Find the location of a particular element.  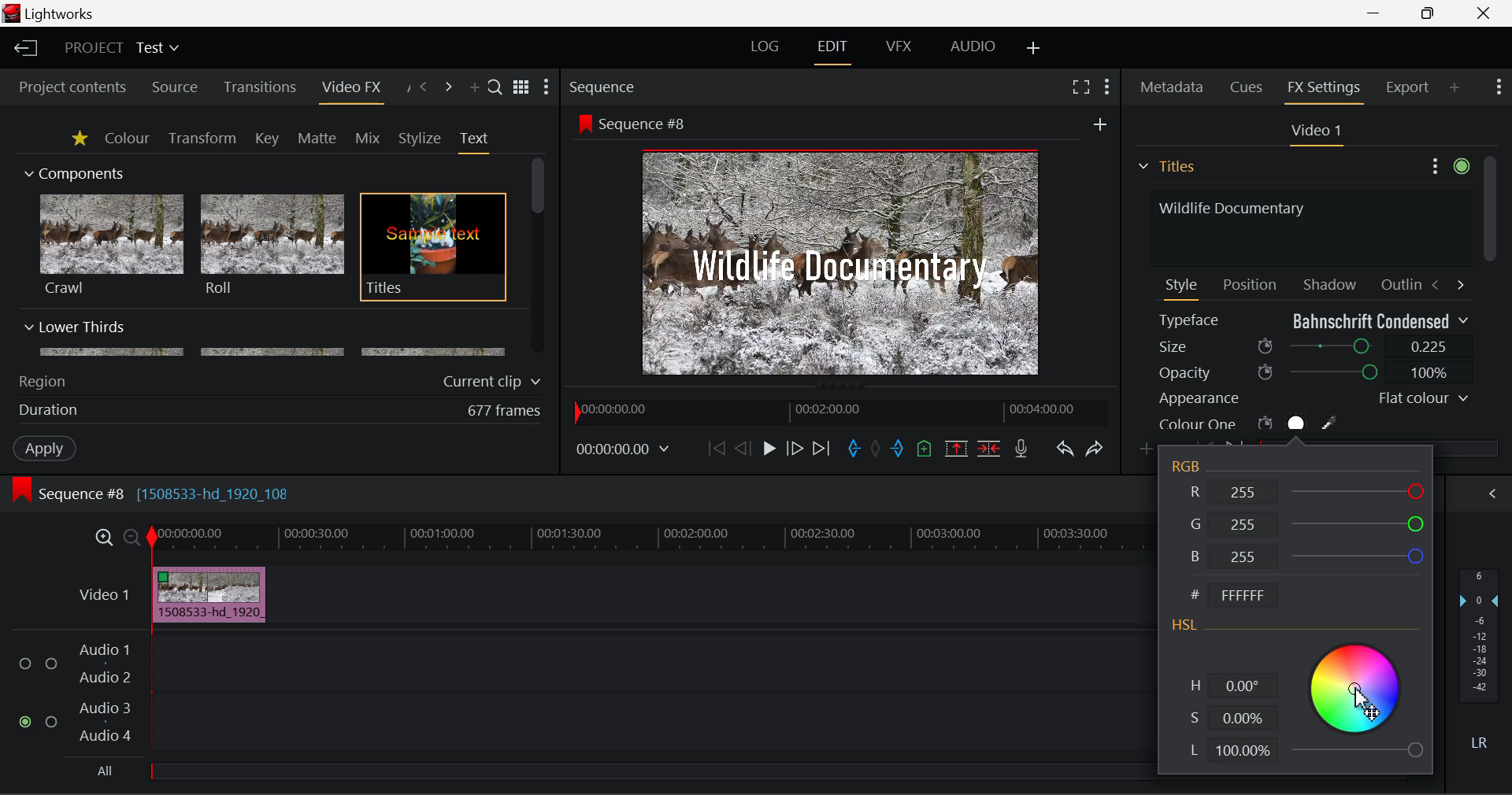

Move between Tabs is located at coordinates (1447, 283).